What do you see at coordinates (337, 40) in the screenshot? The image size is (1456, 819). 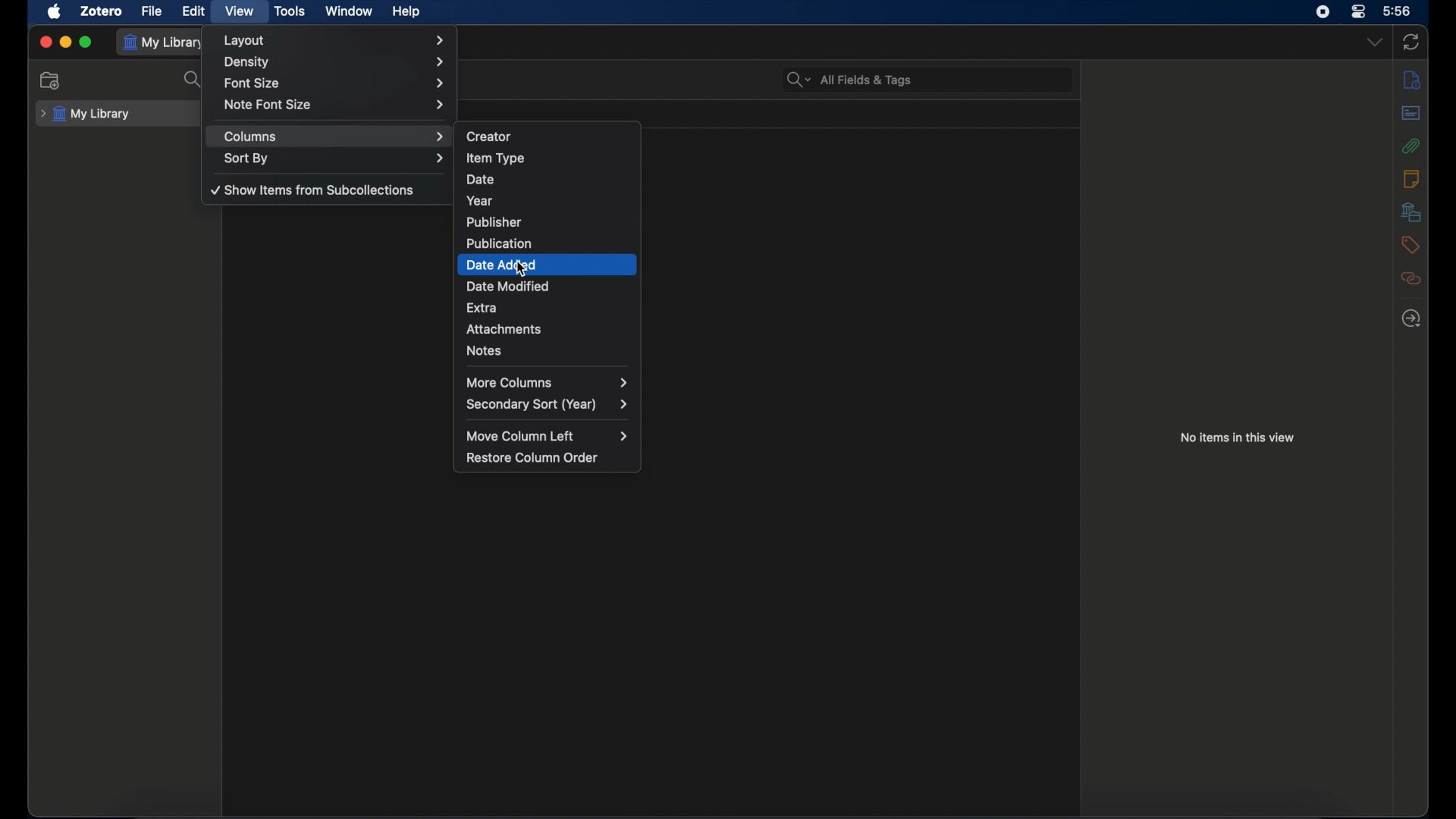 I see `layout` at bounding box center [337, 40].